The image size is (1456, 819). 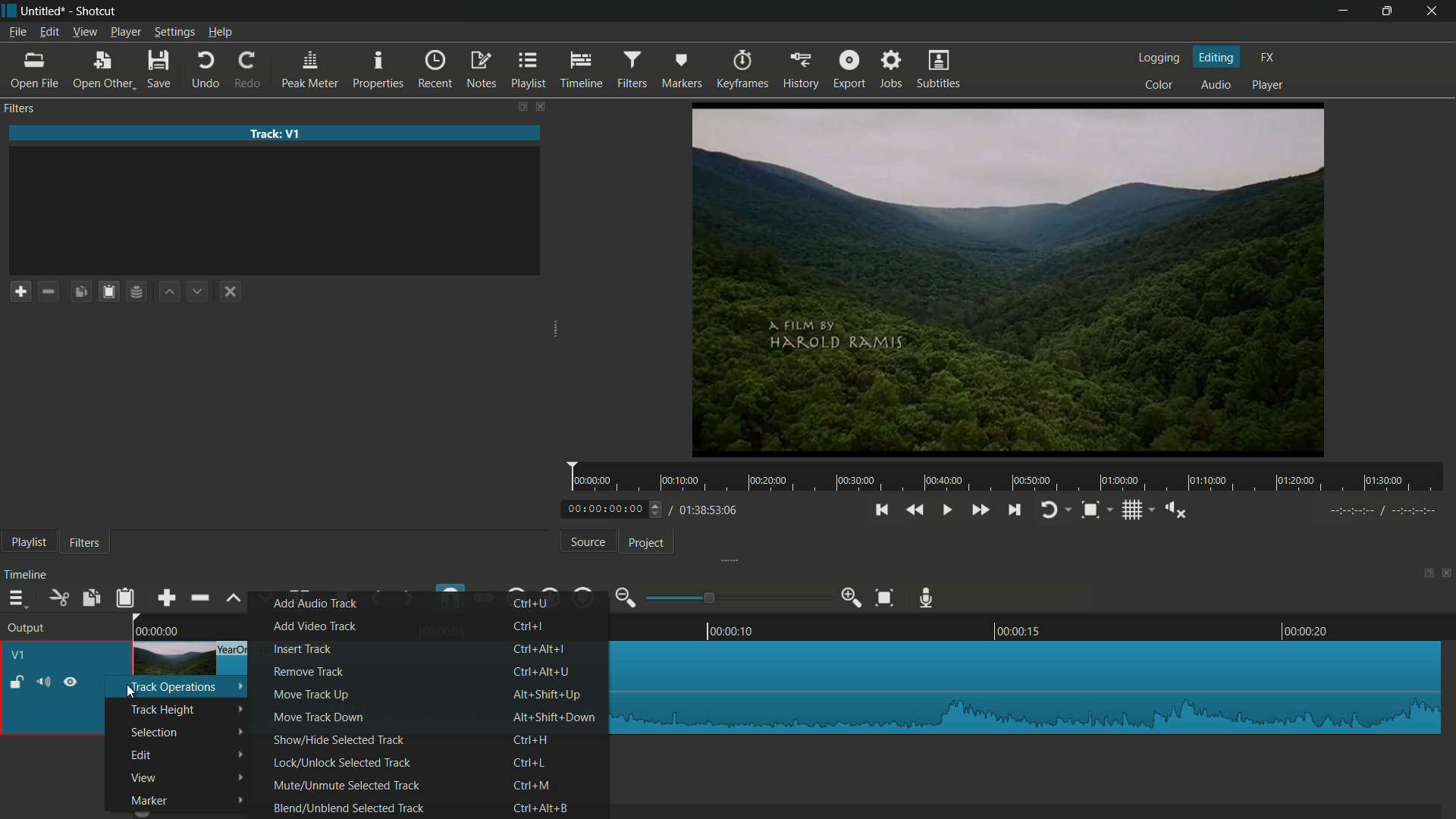 What do you see at coordinates (344, 784) in the screenshot?
I see `mute/unmute selected track` at bounding box center [344, 784].